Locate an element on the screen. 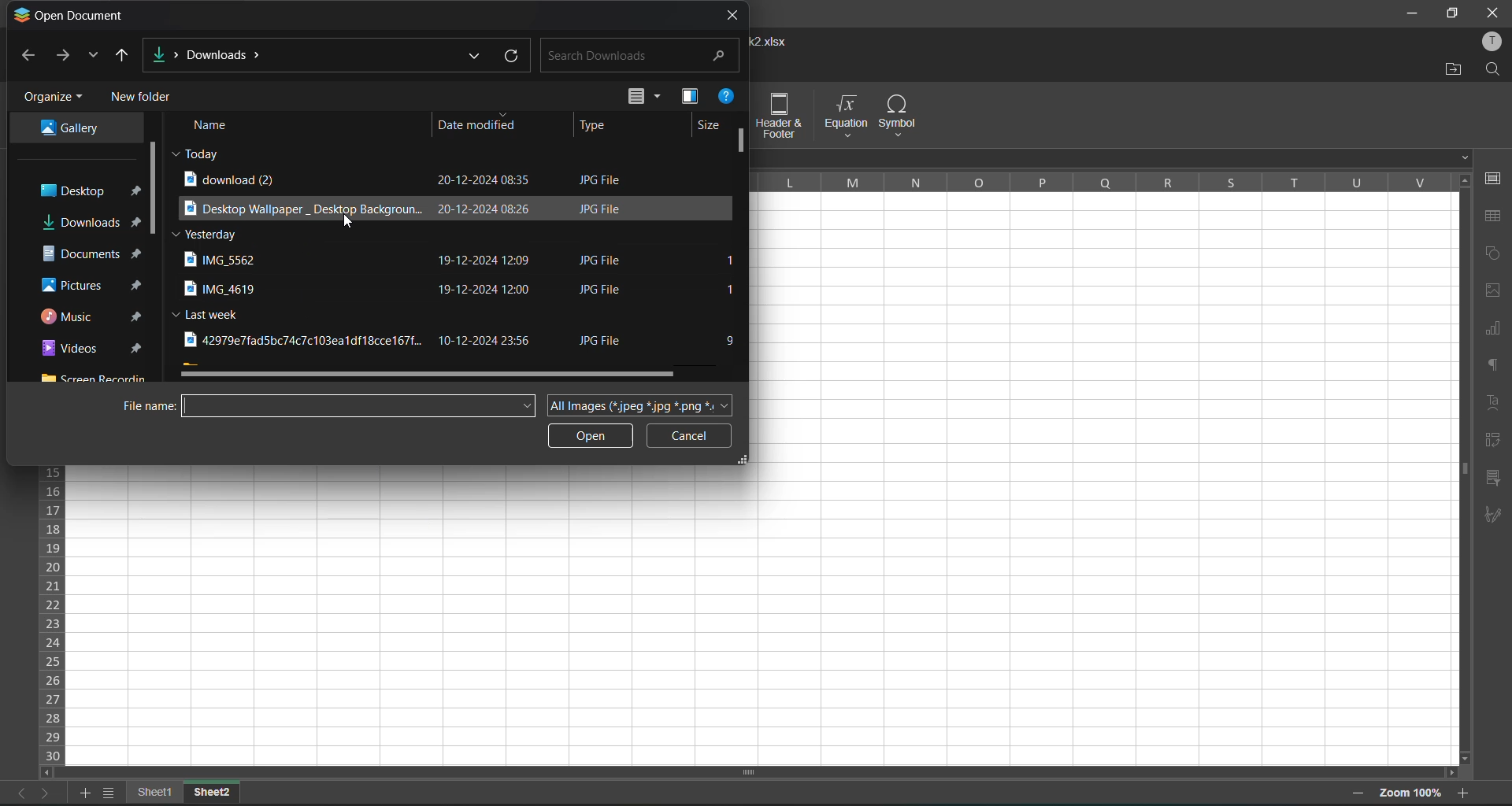 This screenshot has height=806, width=1512. paragraph is located at coordinates (1496, 370).